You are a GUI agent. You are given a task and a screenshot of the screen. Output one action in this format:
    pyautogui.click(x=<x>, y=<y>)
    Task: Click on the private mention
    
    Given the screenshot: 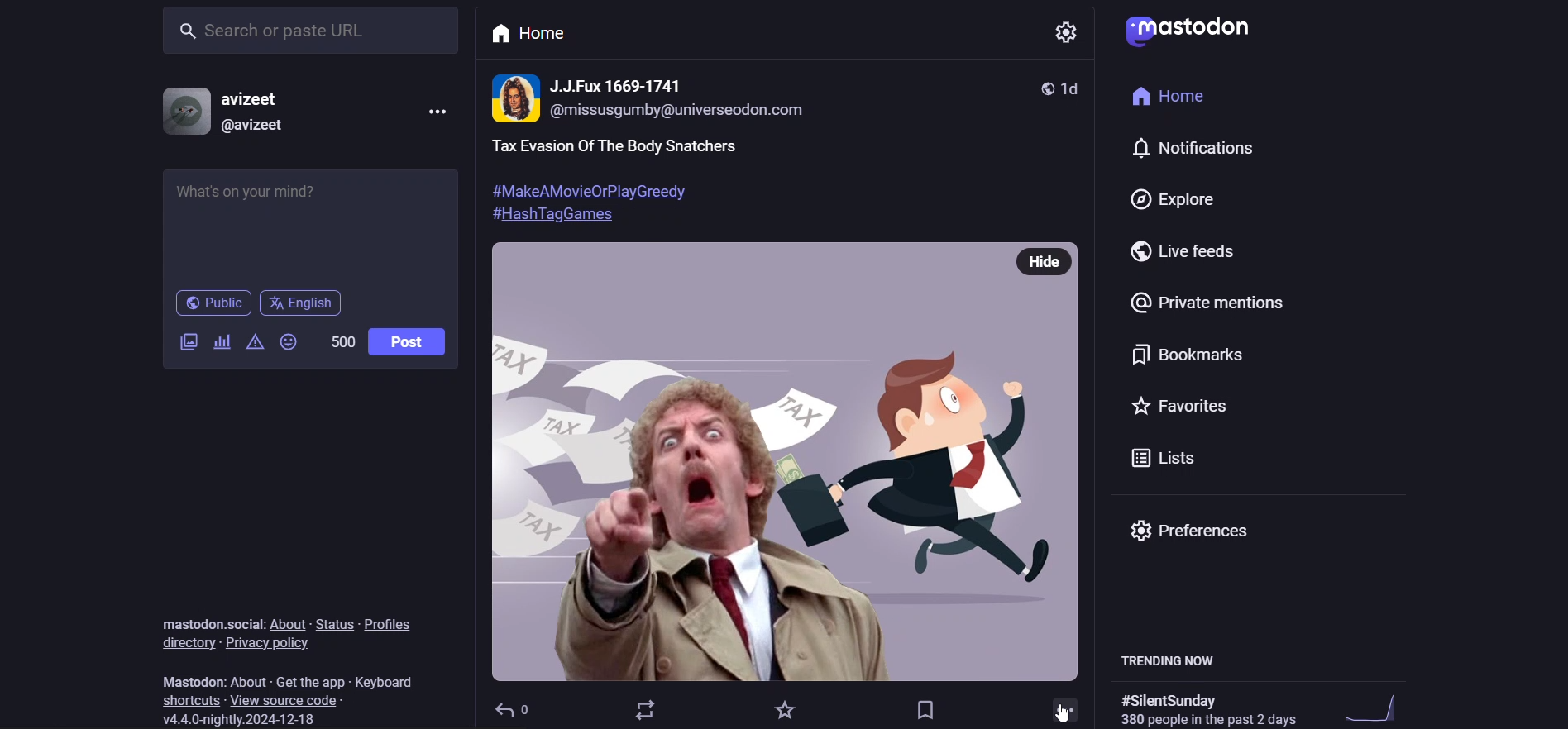 What is the action you would take?
    pyautogui.click(x=1217, y=303)
    